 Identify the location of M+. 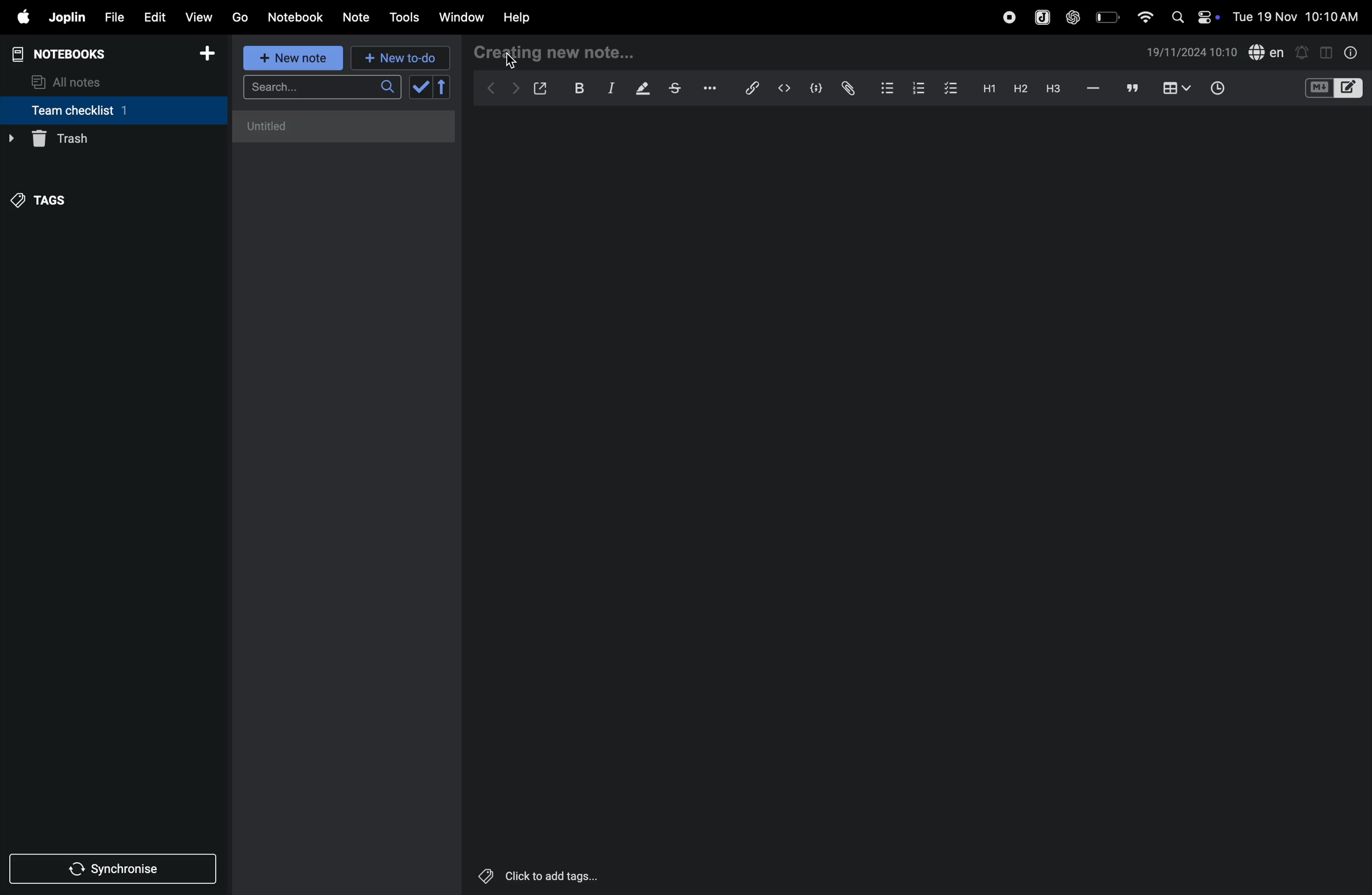
(1318, 88).